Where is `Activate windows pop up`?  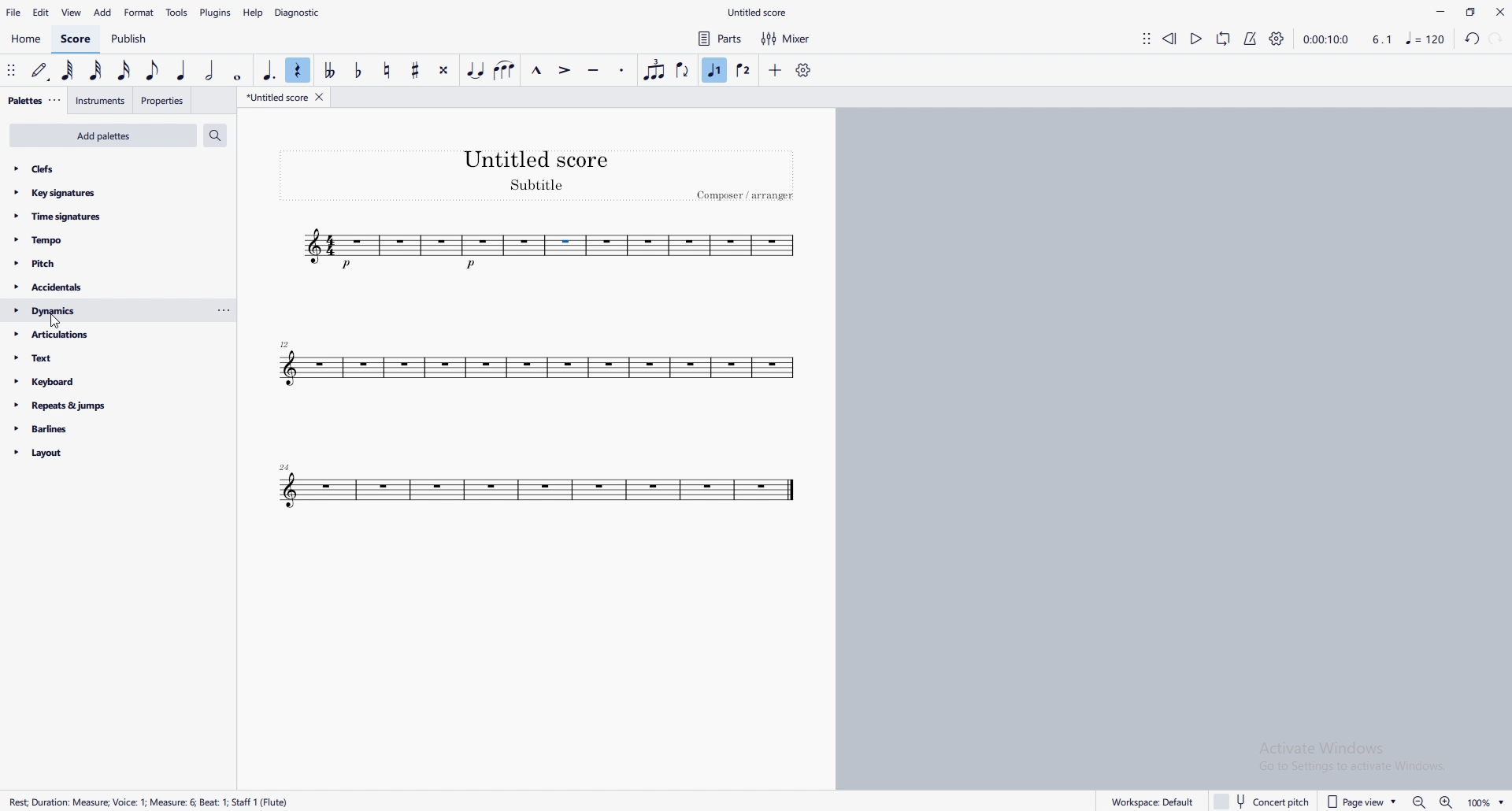
Activate windows pop up is located at coordinates (1364, 760).